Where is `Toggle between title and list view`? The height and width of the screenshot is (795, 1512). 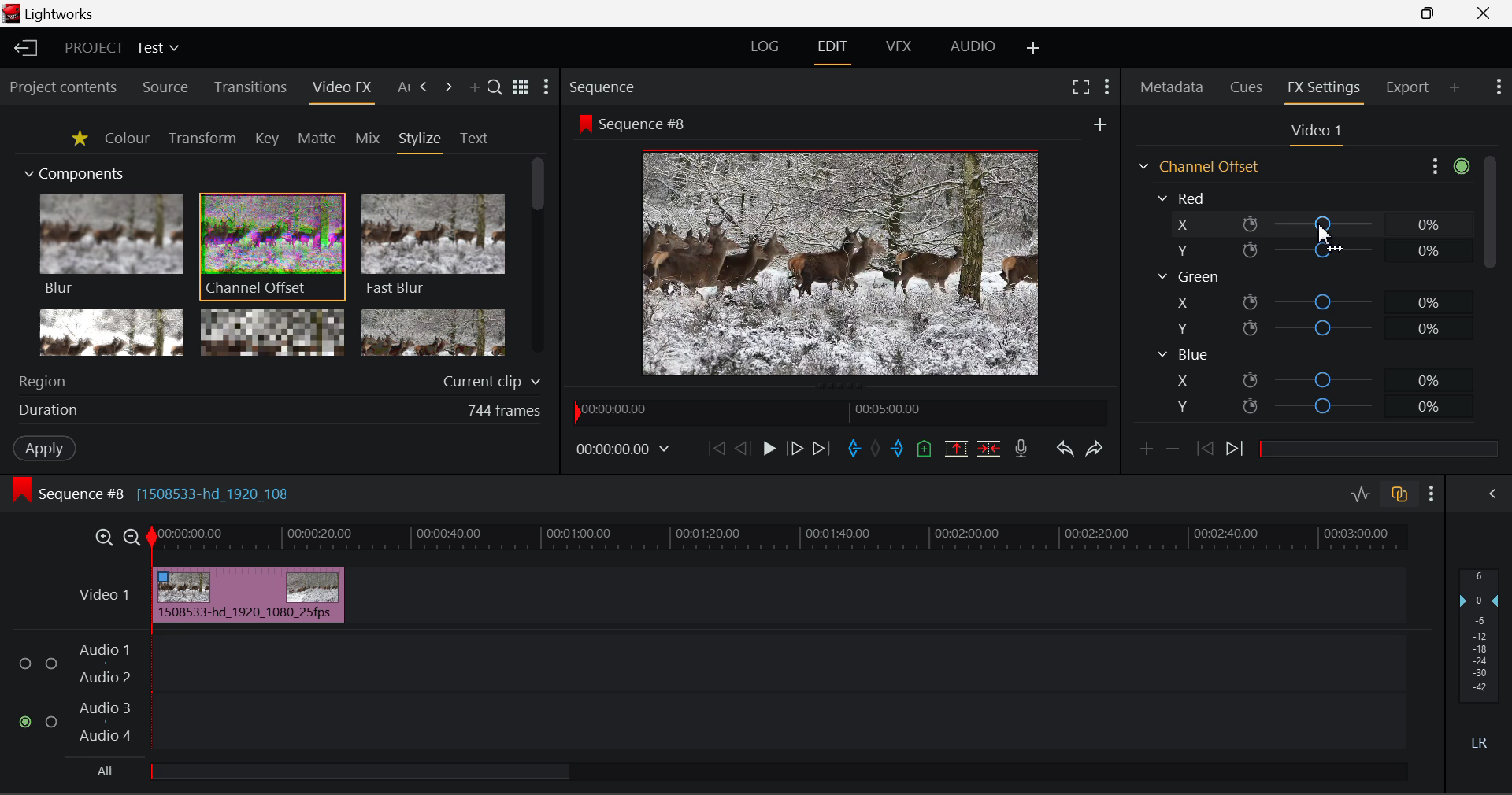
Toggle between title and list view is located at coordinates (521, 84).